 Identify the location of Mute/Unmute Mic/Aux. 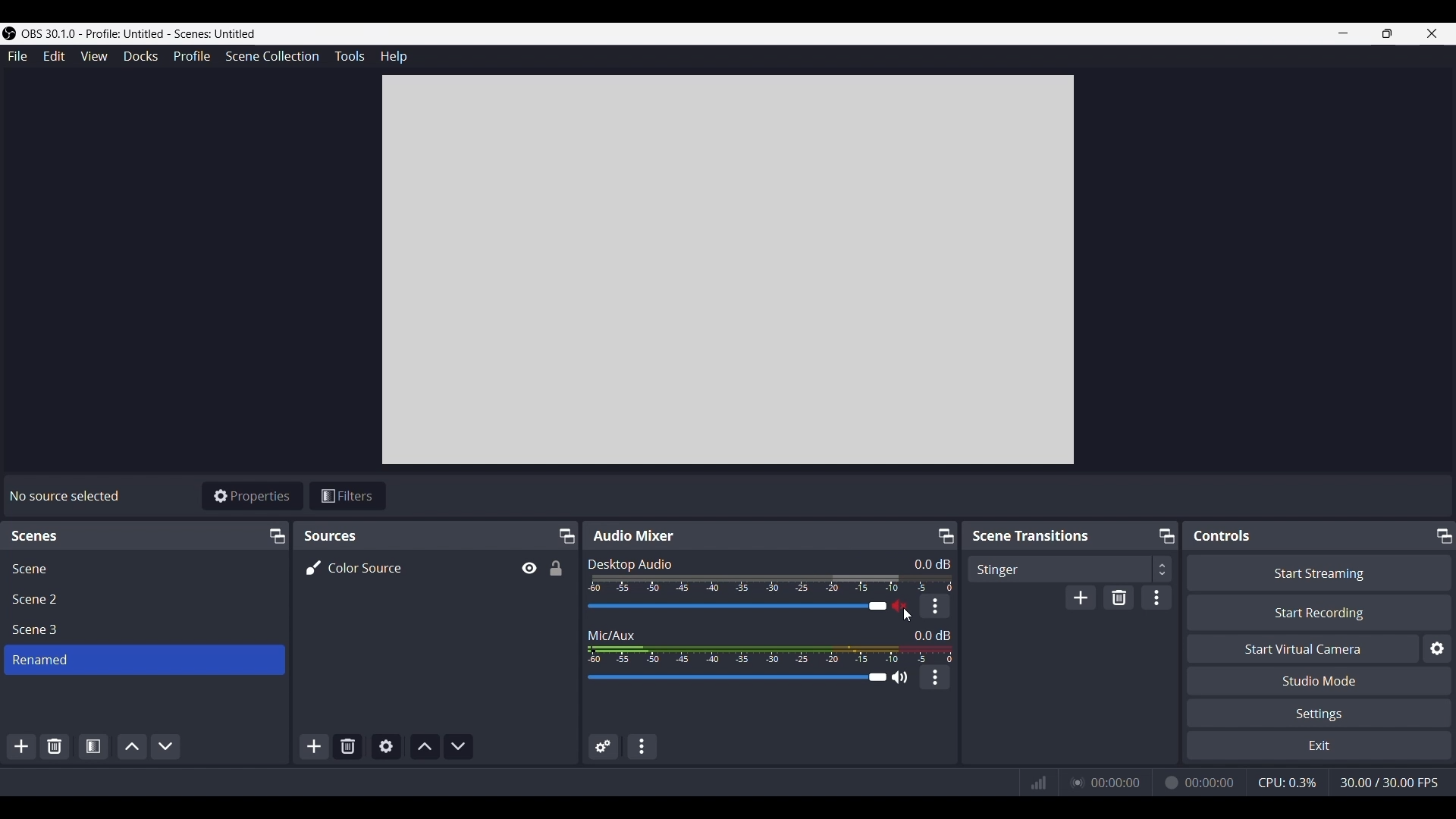
(900, 676).